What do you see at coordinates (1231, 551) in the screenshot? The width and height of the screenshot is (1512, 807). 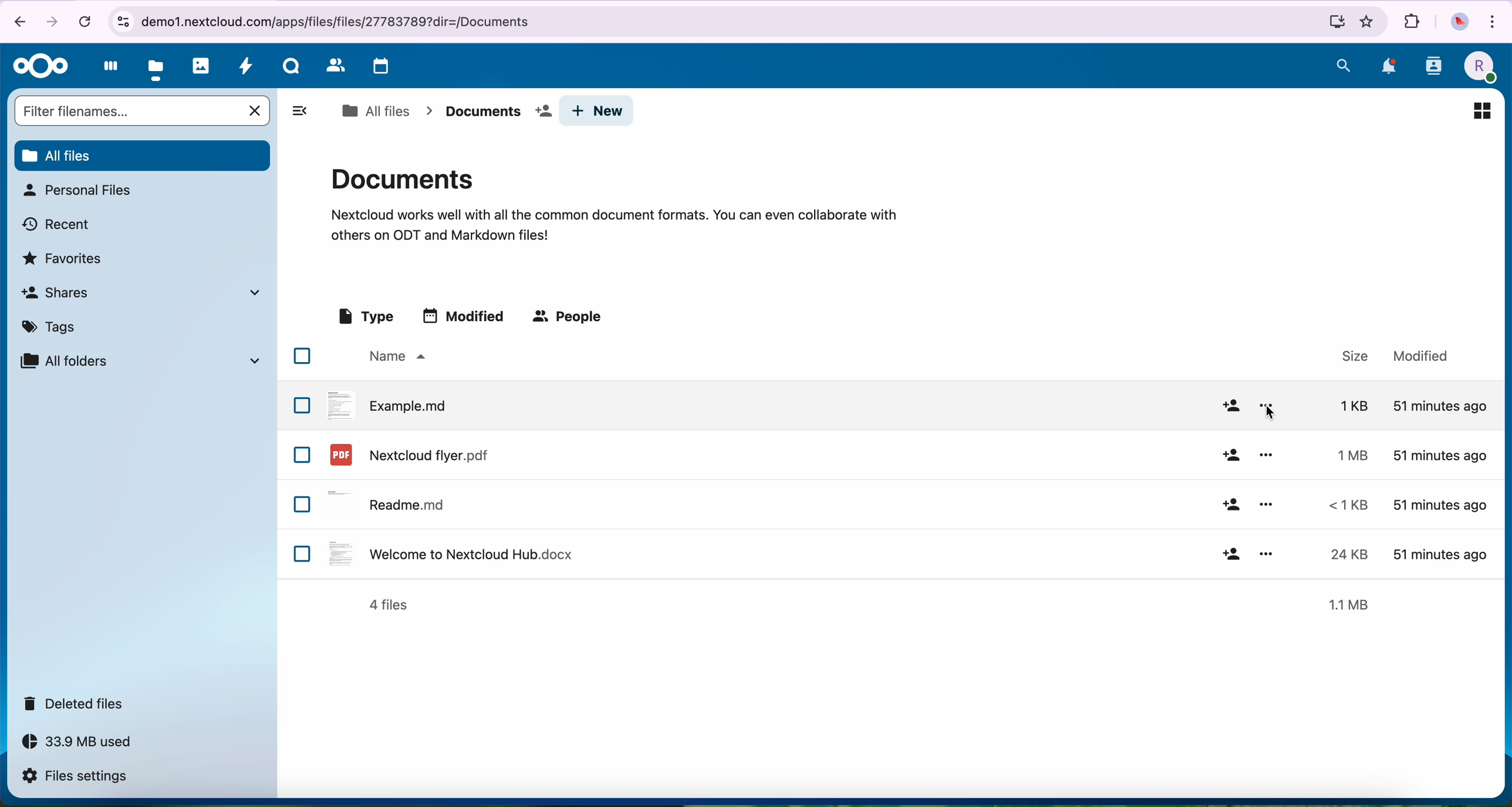 I see `add` at bounding box center [1231, 551].